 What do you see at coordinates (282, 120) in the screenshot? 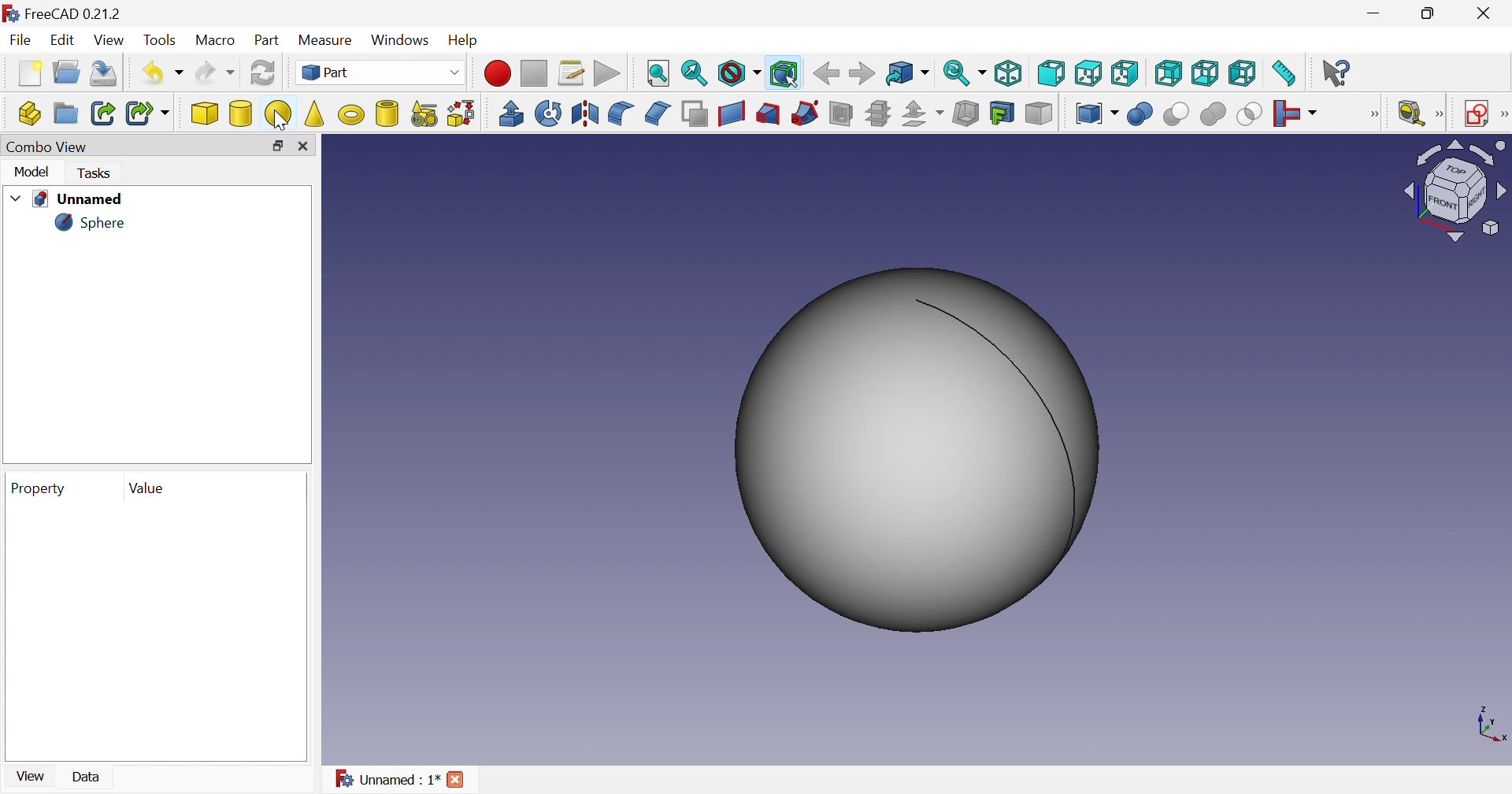
I see `Cursor` at bounding box center [282, 120].